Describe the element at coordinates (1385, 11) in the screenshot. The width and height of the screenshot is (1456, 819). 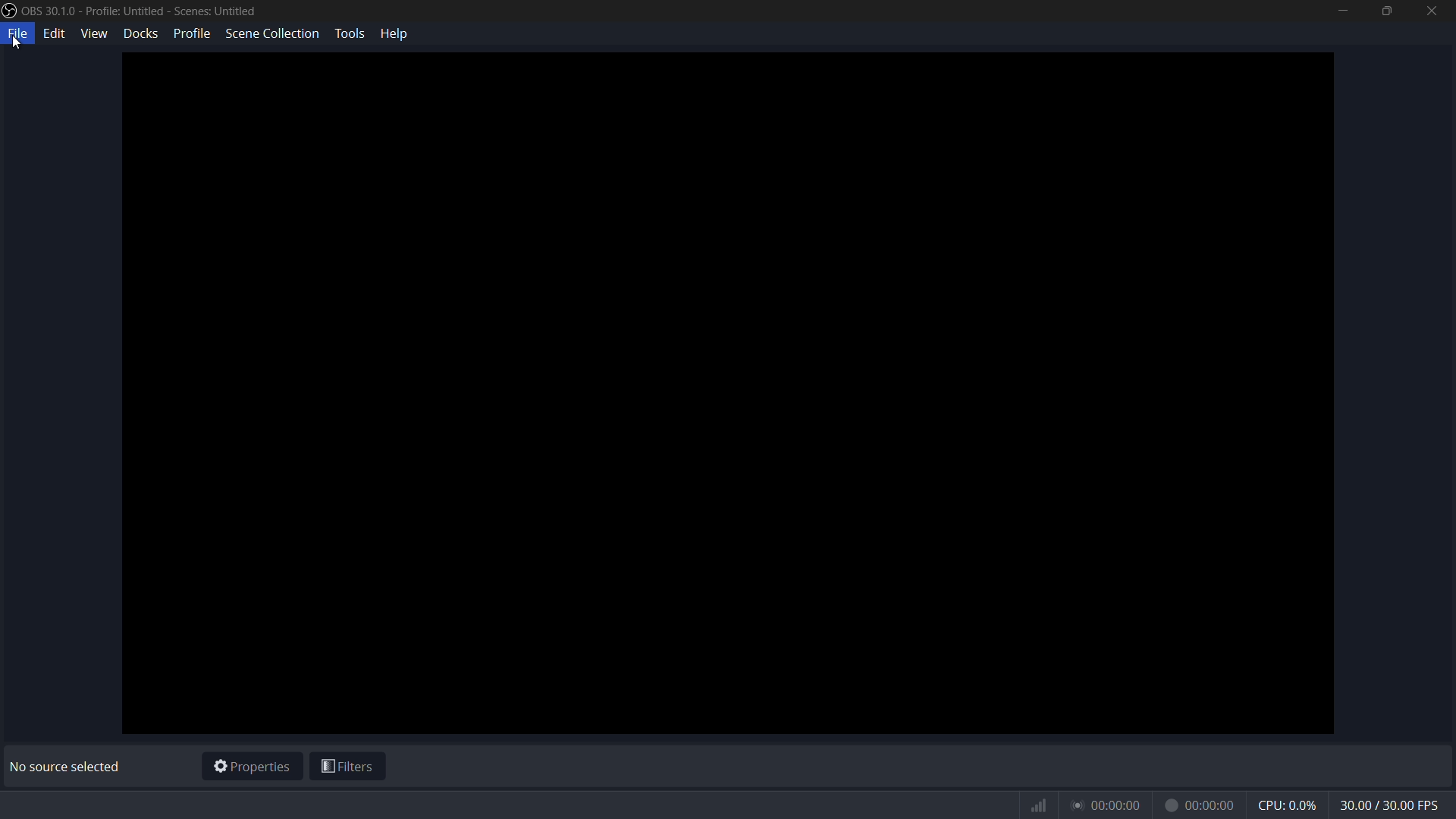
I see `maximize or restore` at that location.